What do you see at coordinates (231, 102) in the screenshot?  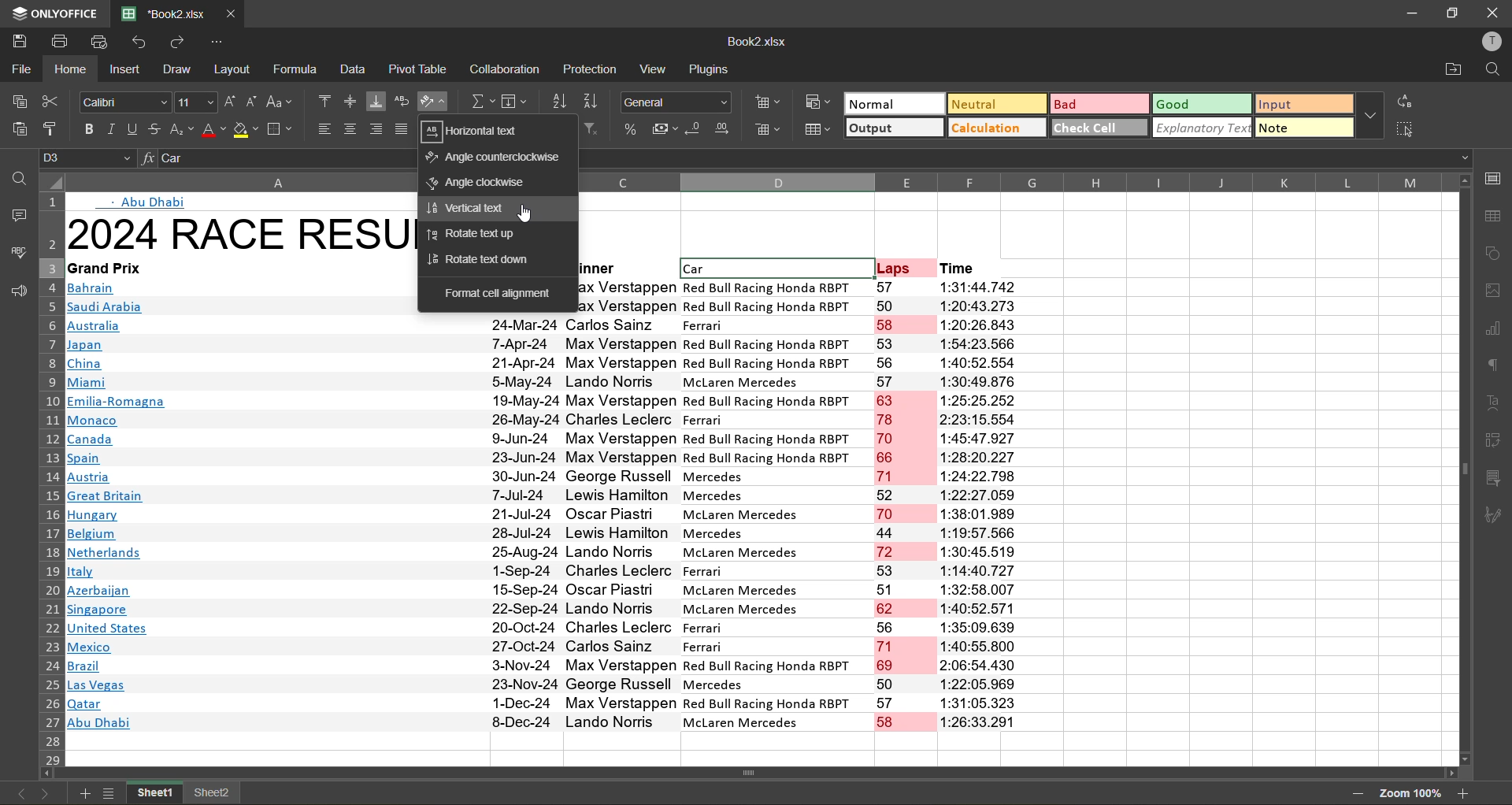 I see `increment size` at bounding box center [231, 102].